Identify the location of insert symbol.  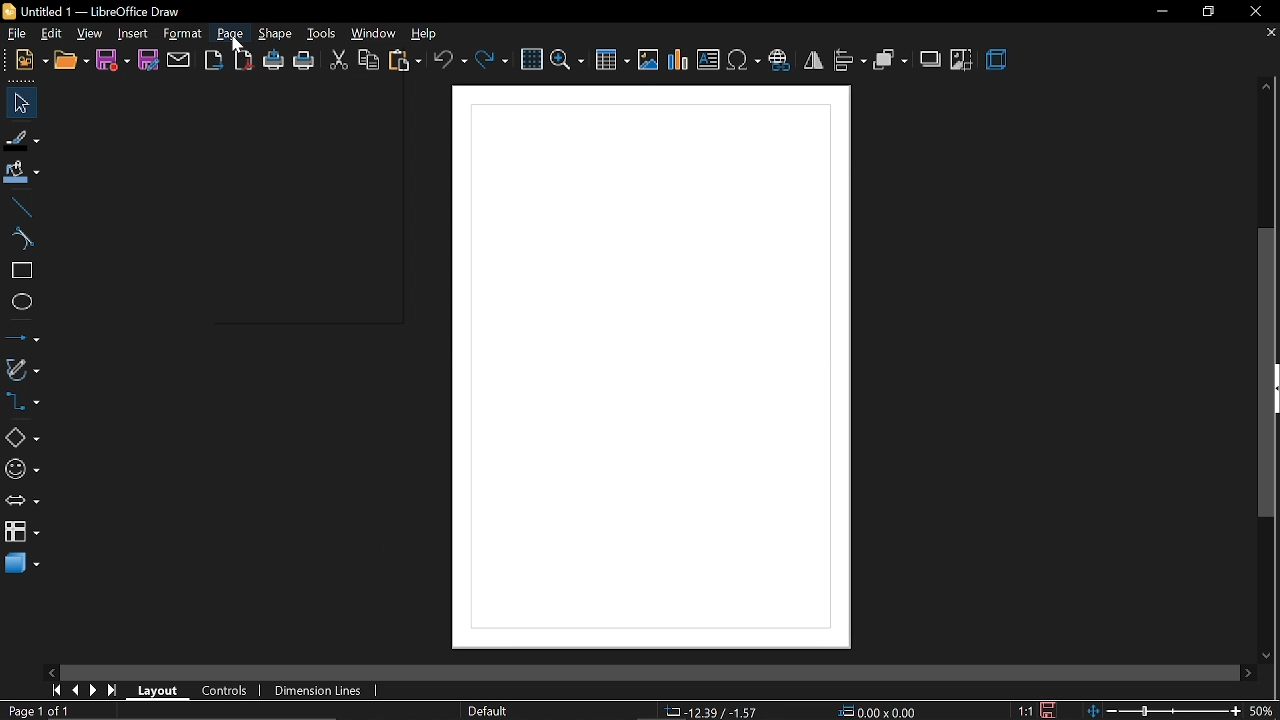
(744, 60).